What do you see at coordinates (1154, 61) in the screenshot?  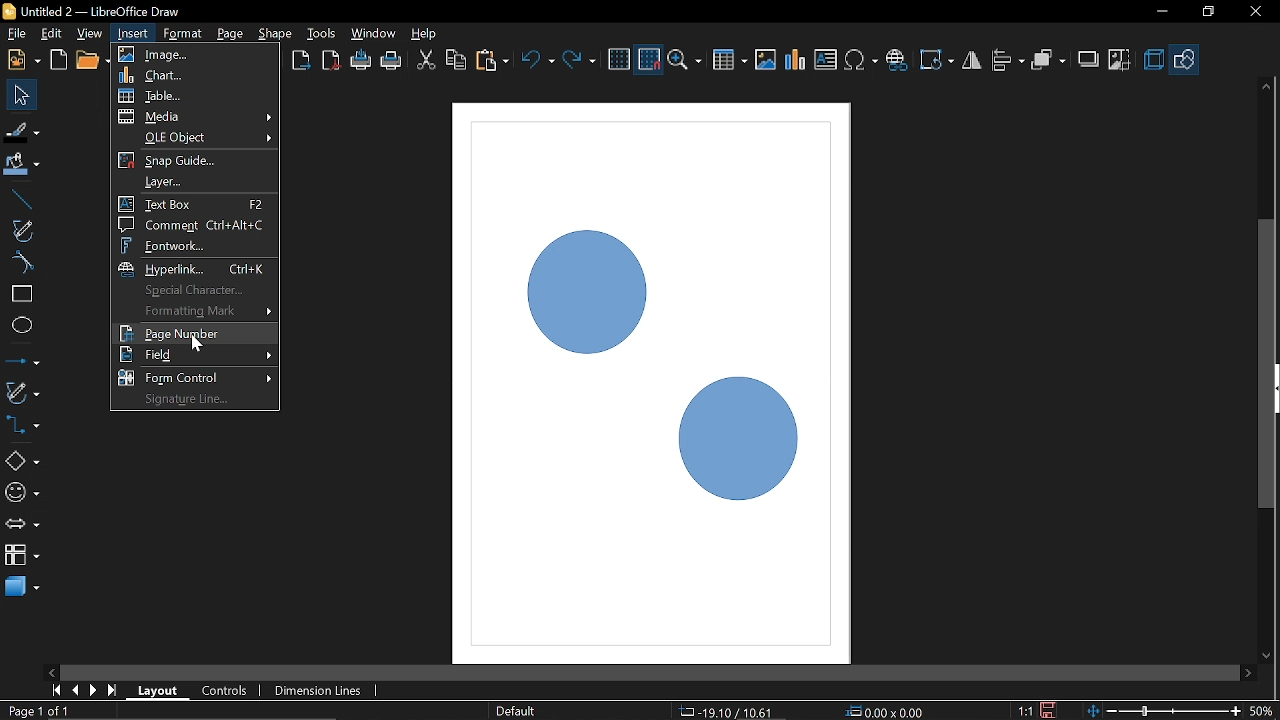 I see `3D` at bounding box center [1154, 61].